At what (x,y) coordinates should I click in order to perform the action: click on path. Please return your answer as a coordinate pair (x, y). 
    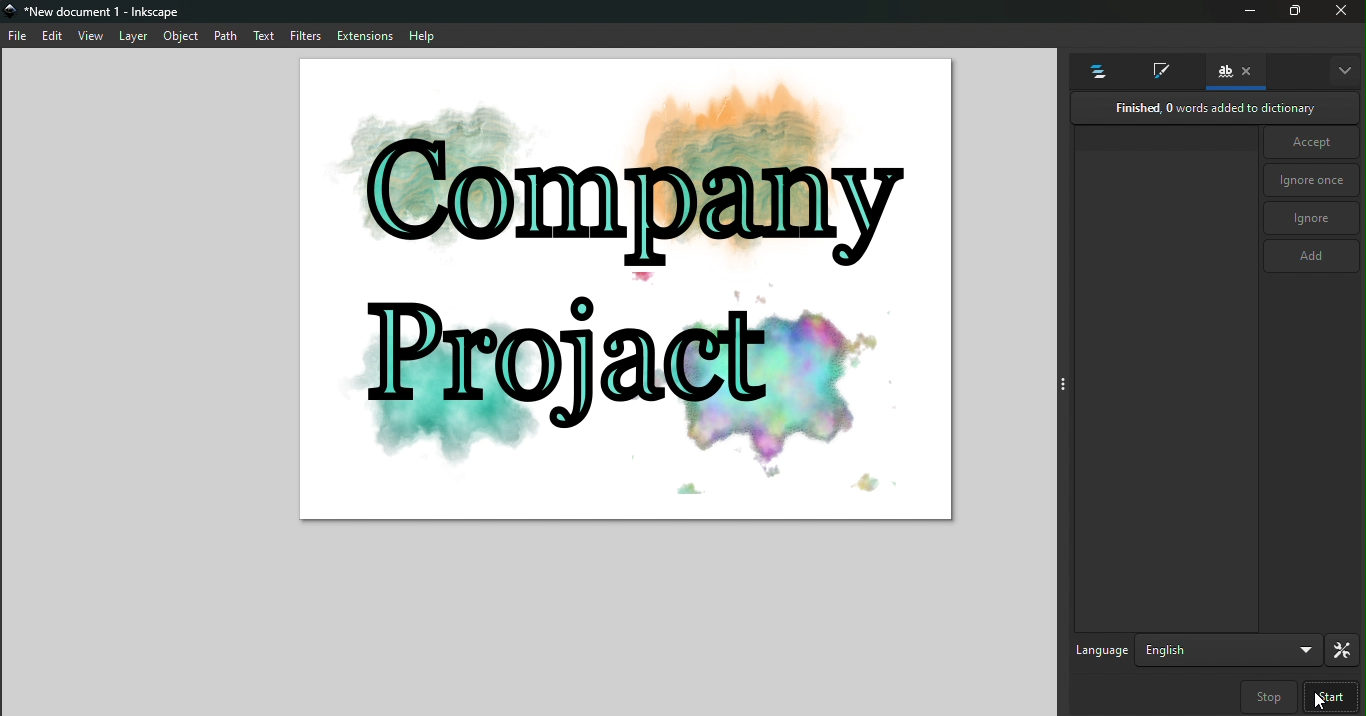
    Looking at the image, I should click on (225, 35).